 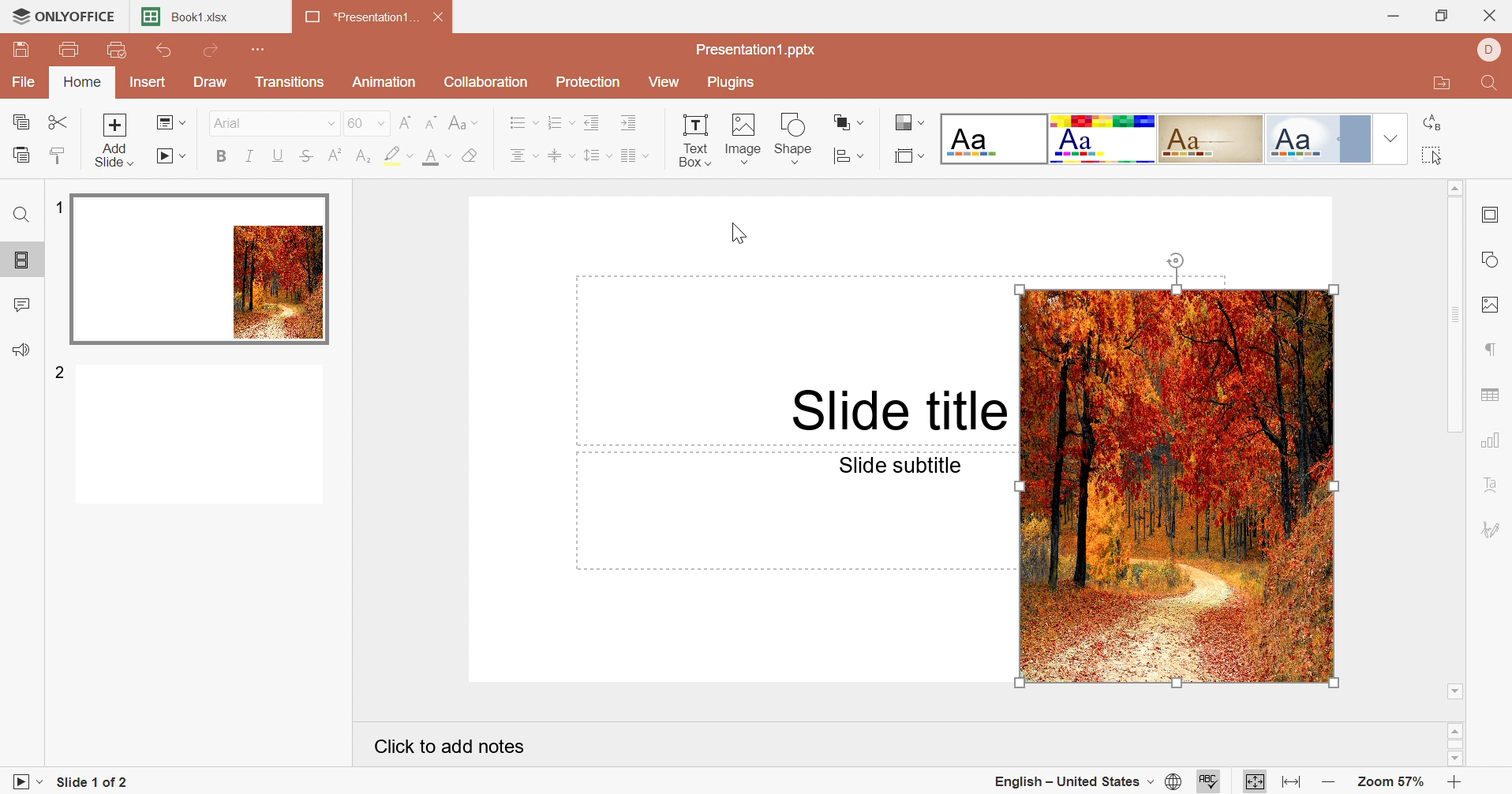 I want to click on Bullets, so click(x=524, y=124).